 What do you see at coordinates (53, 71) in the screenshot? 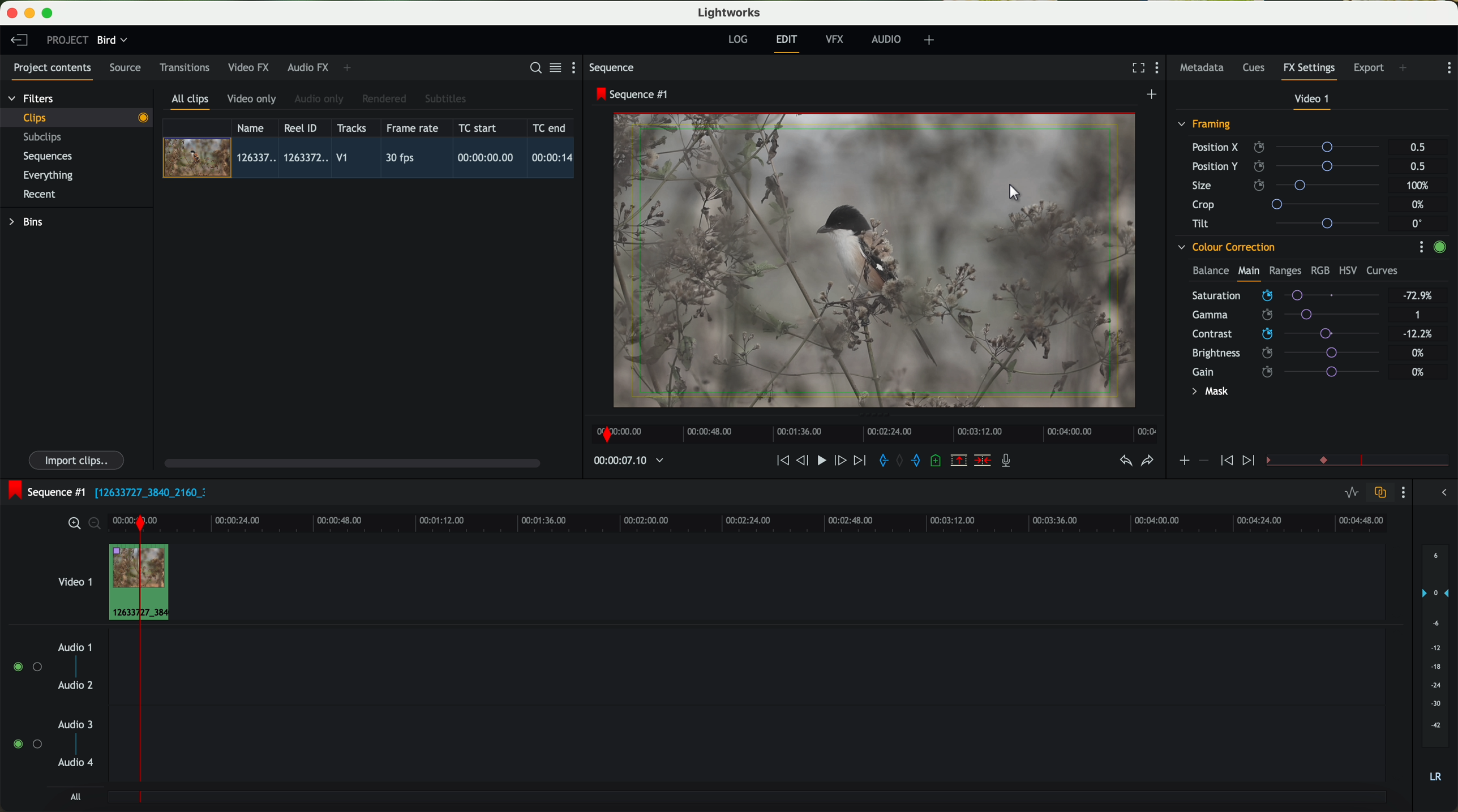
I see `project contents` at bounding box center [53, 71].